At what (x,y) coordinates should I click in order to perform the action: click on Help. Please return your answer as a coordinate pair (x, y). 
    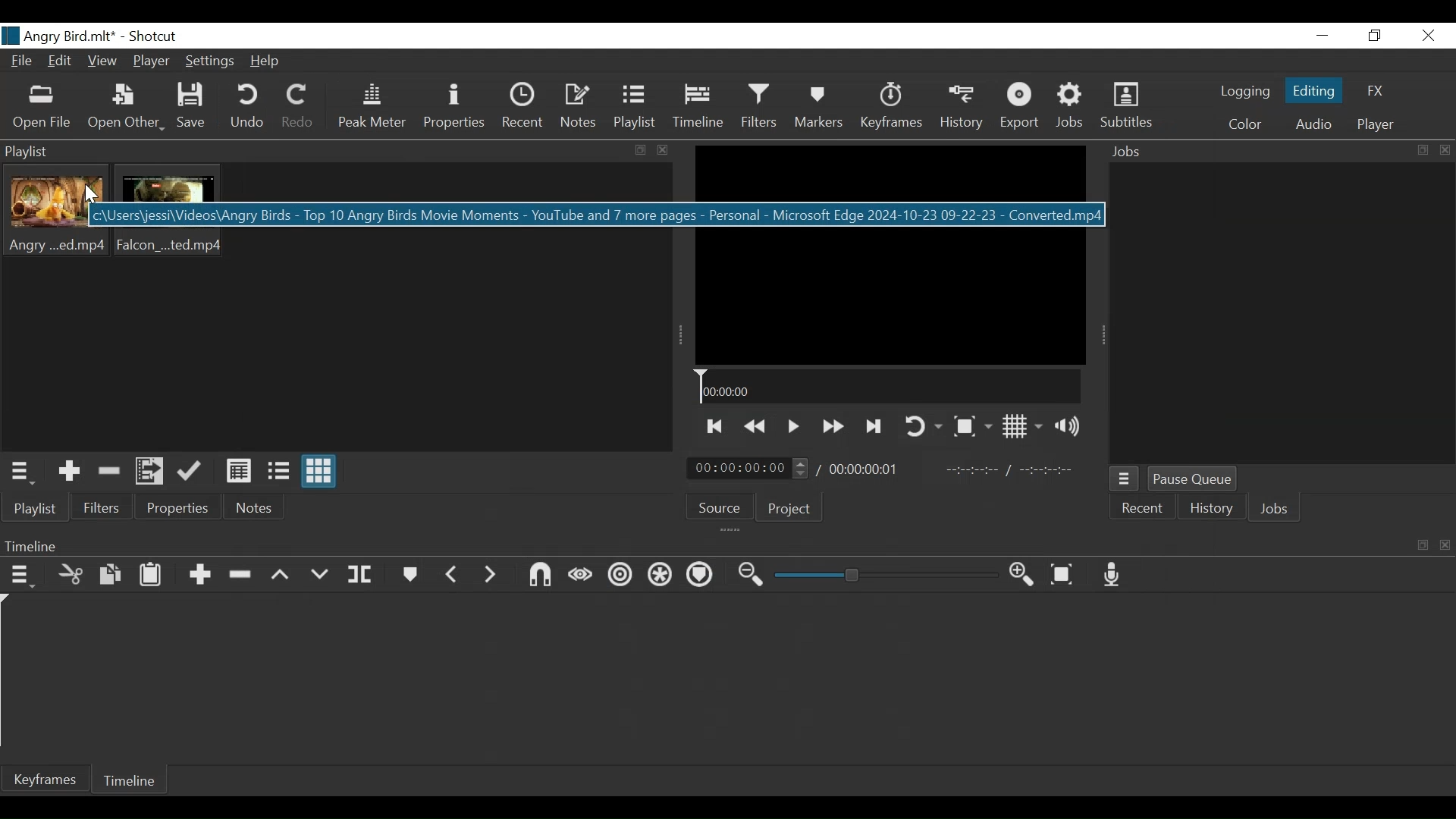
    Looking at the image, I should click on (269, 61).